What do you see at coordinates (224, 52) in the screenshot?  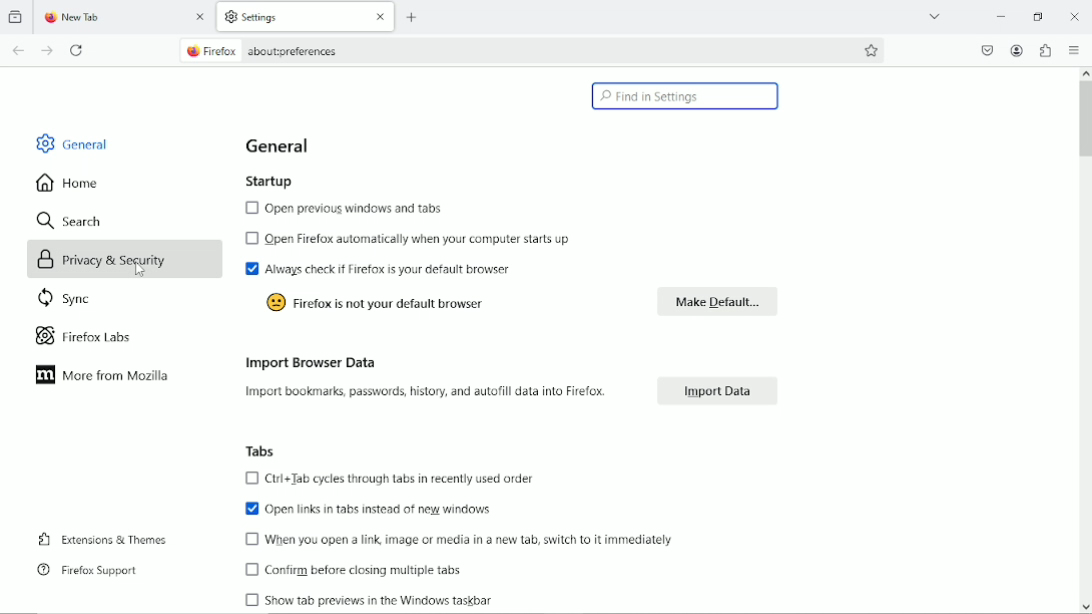 I see `firefox` at bounding box center [224, 52].